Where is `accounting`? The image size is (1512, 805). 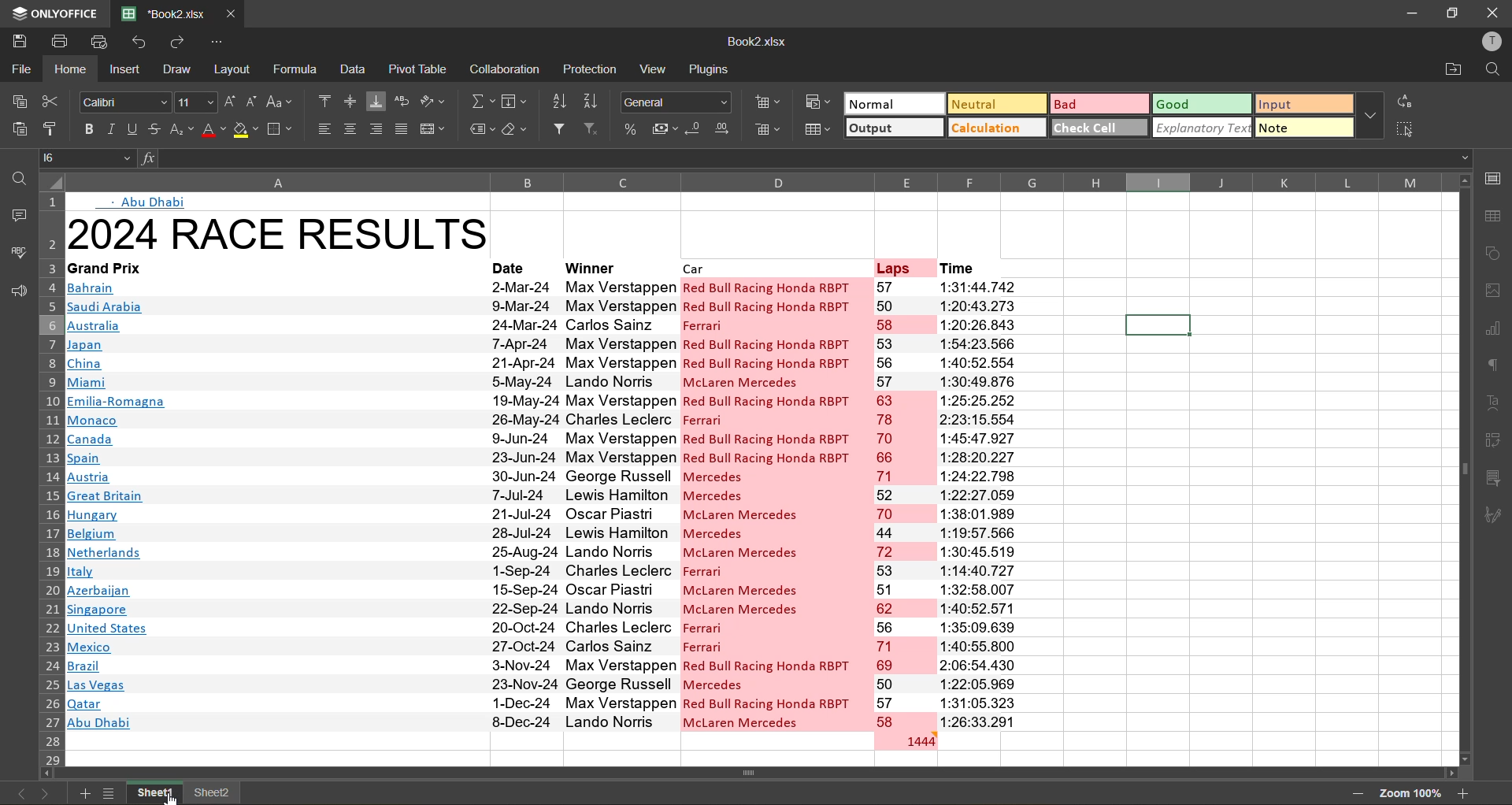 accounting is located at coordinates (663, 128).